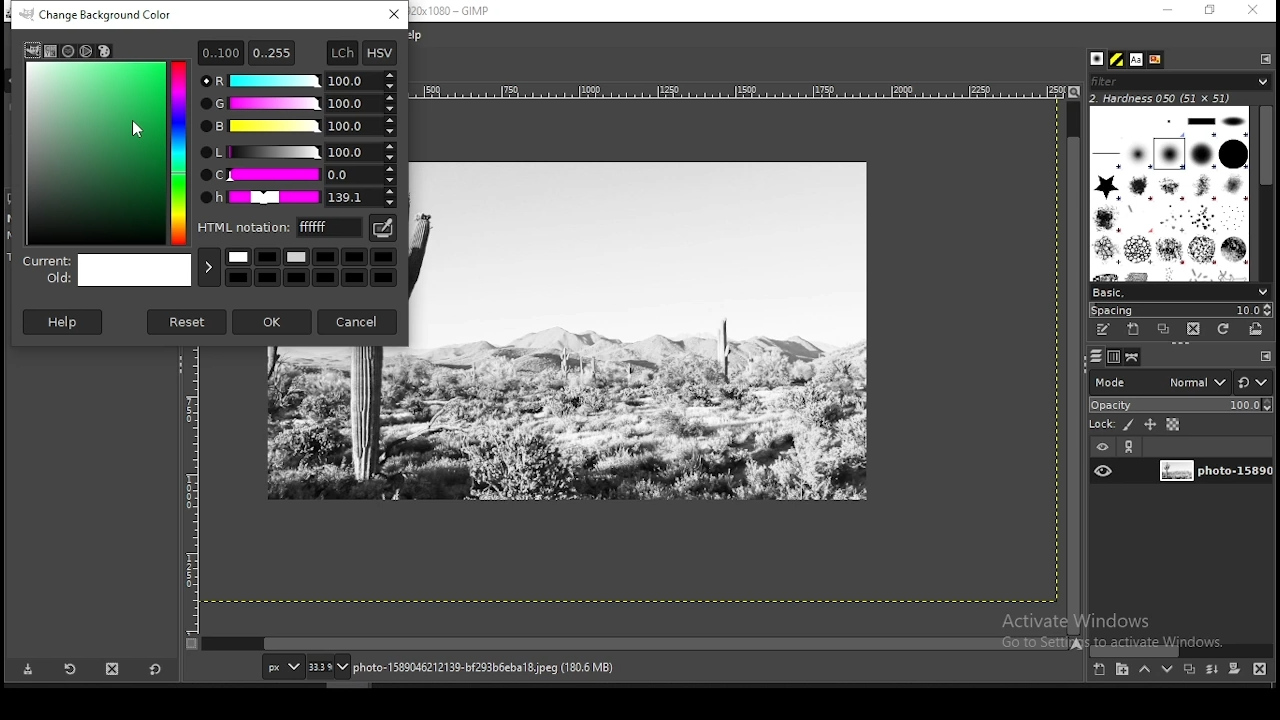 Image resolution: width=1280 pixels, height=720 pixels. I want to click on help, so click(65, 321).